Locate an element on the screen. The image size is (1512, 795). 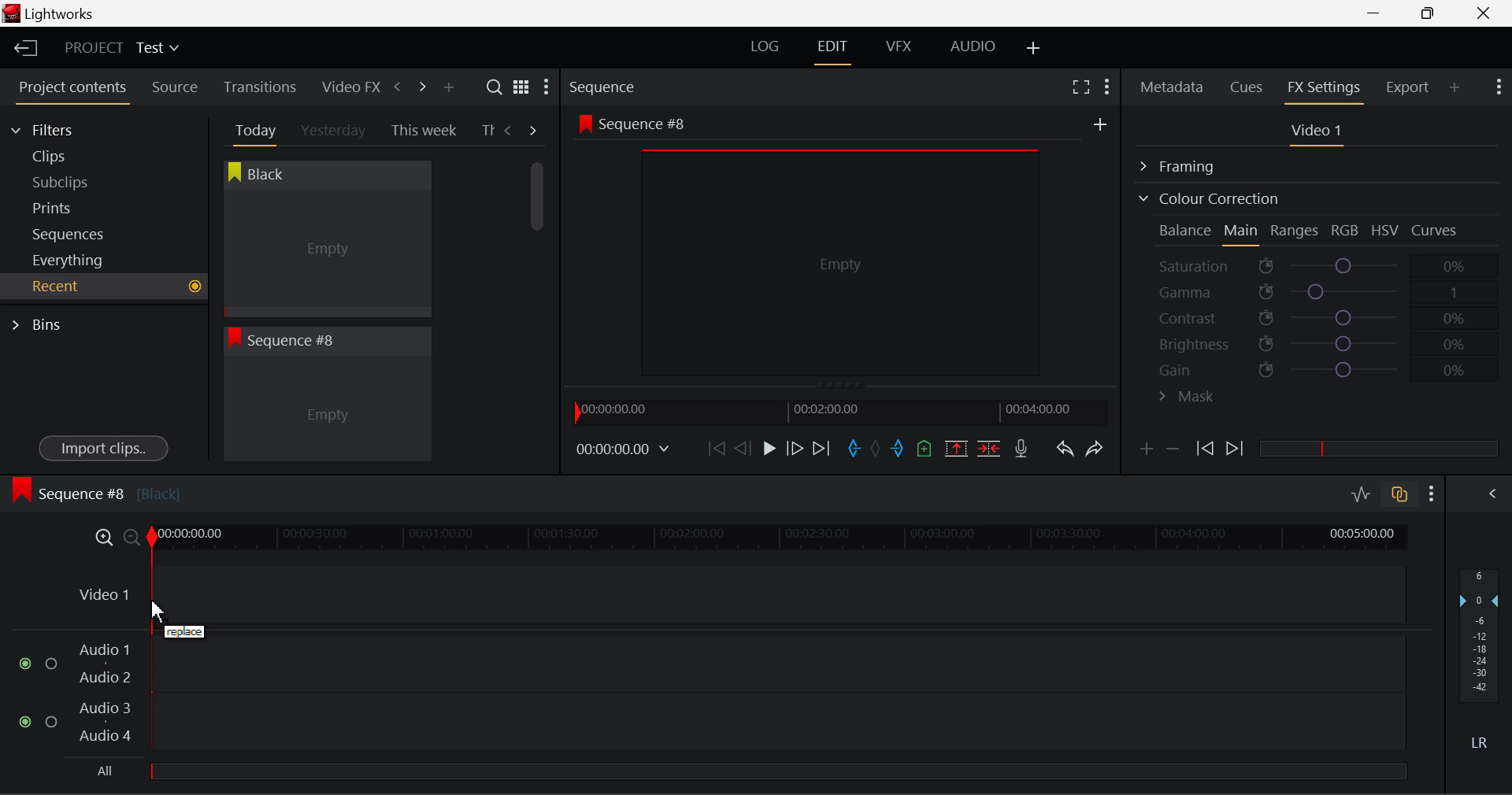
Source is located at coordinates (175, 87).